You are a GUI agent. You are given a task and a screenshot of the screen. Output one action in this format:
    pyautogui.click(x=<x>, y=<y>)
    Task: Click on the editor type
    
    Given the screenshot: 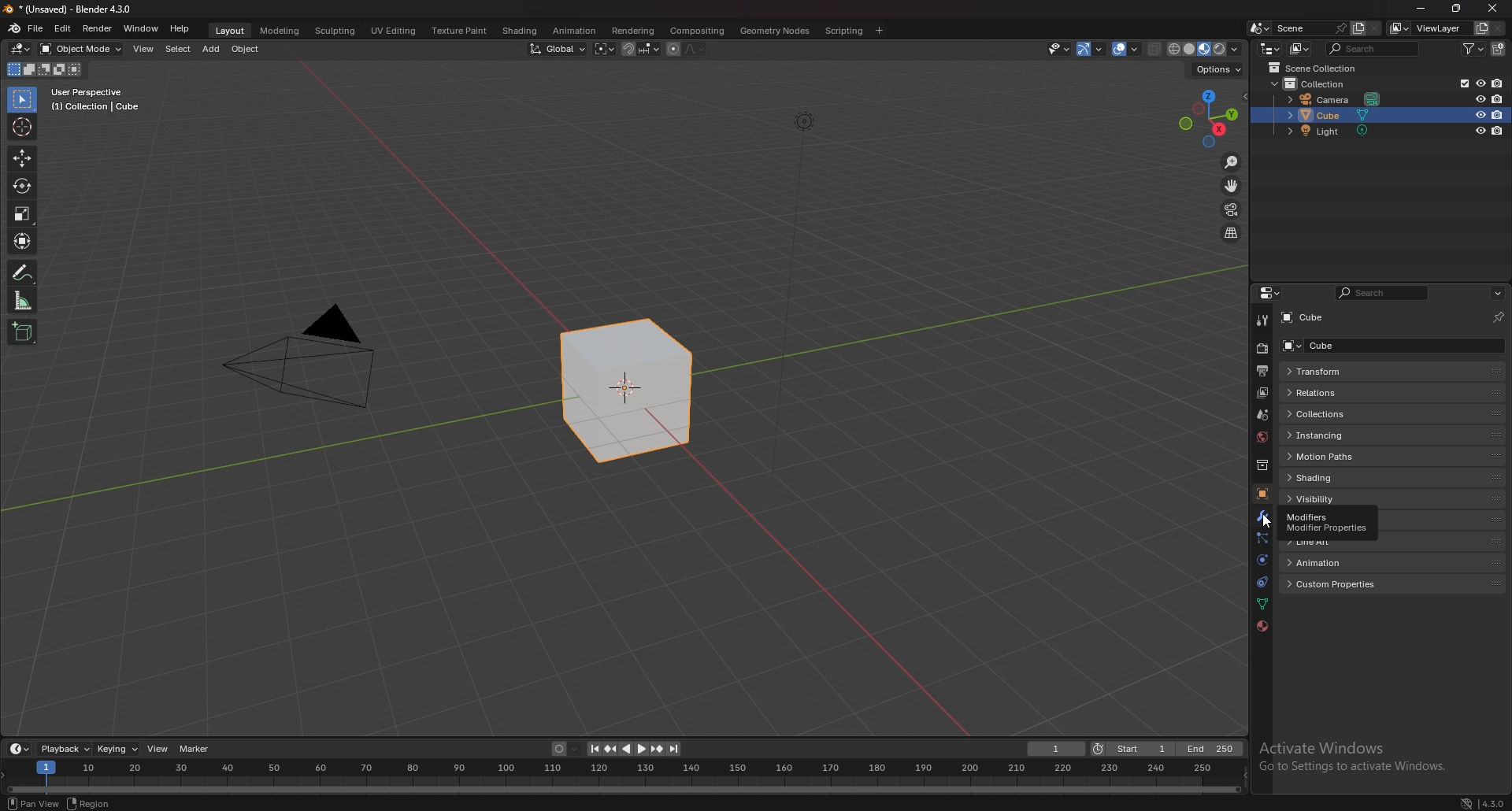 What is the action you would take?
    pyautogui.click(x=20, y=49)
    